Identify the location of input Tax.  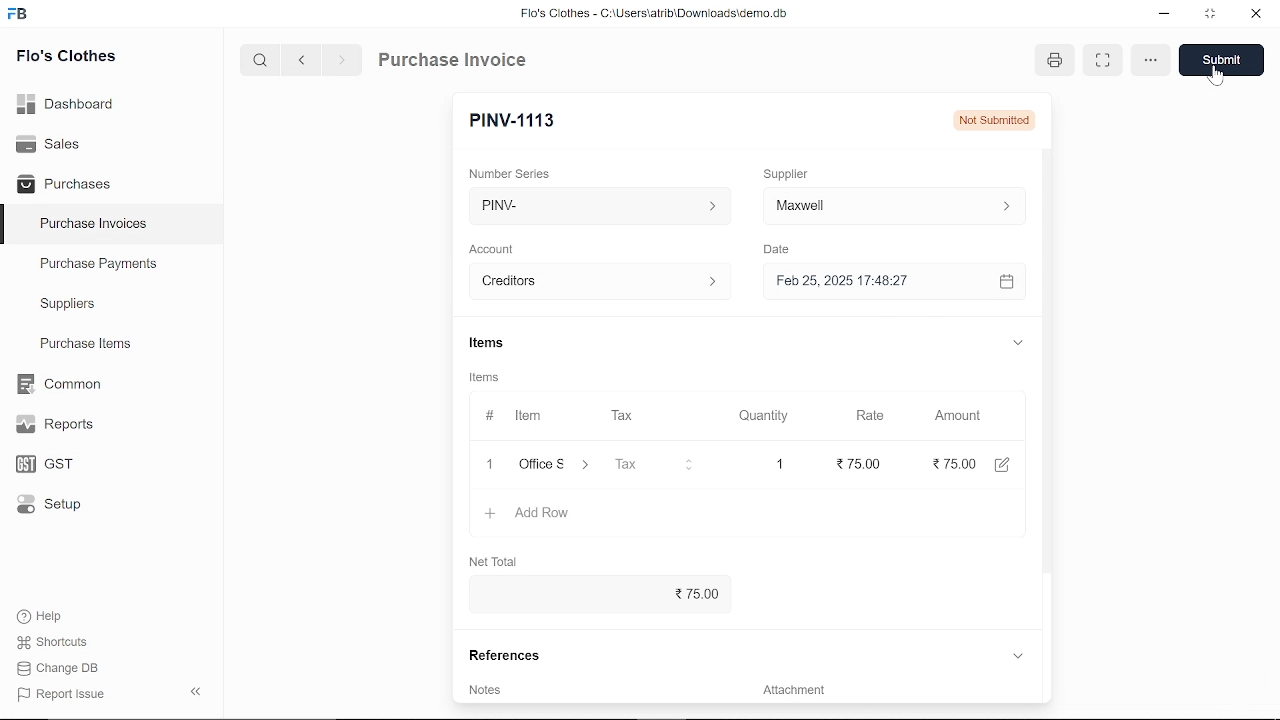
(654, 464).